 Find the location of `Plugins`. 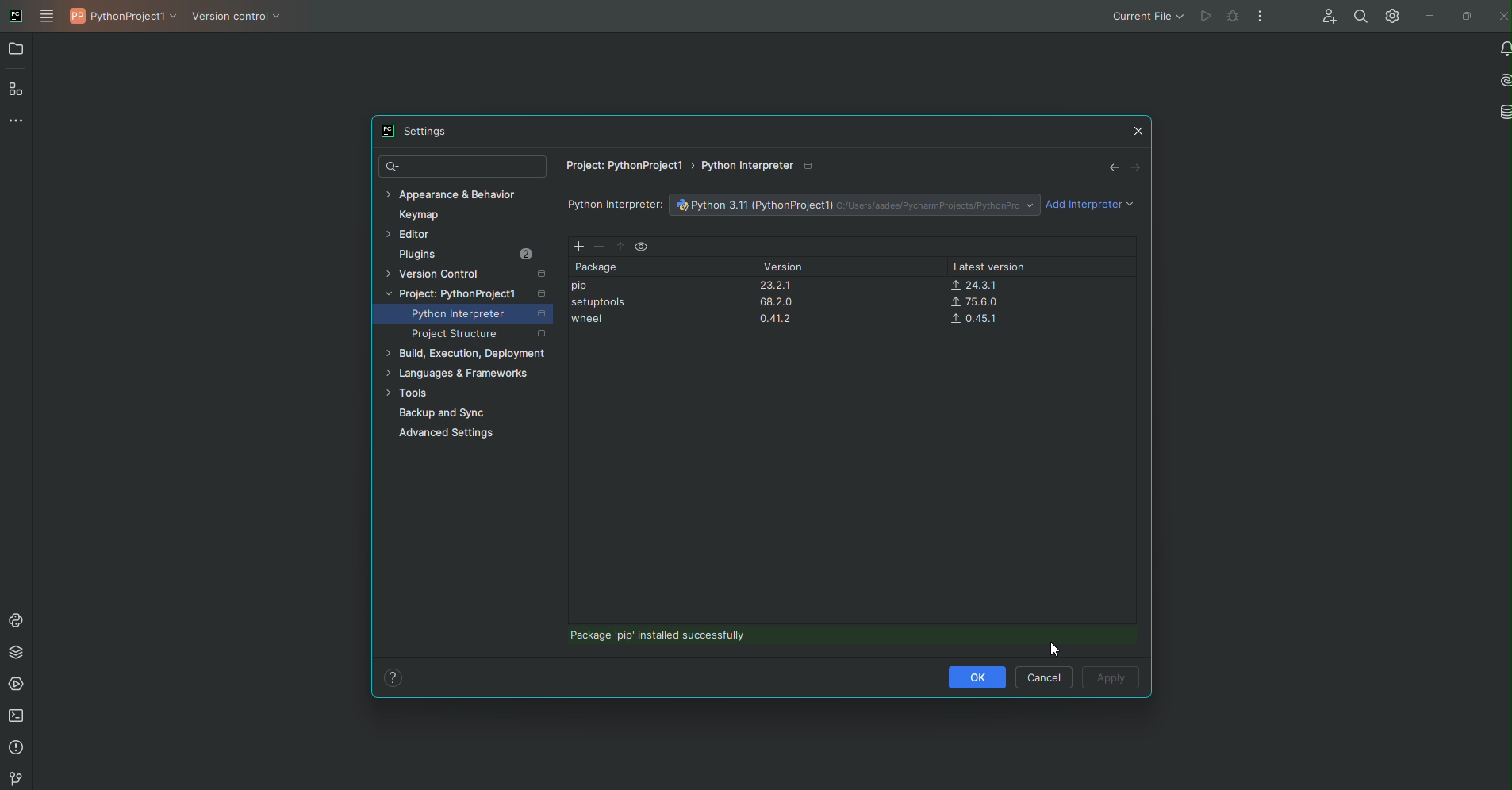

Plugins is located at coordinates (466, 255).